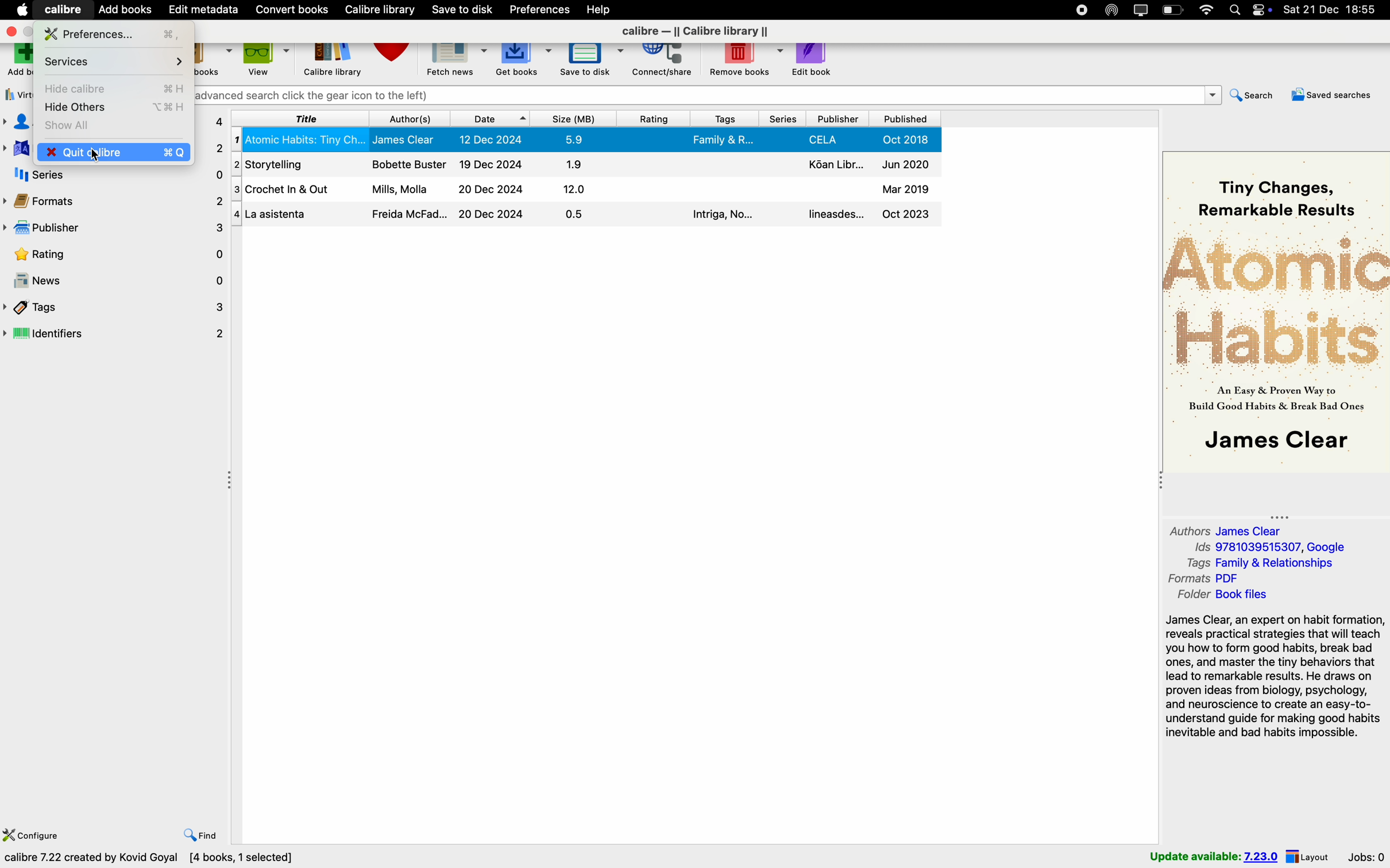 This screenshot has height=868, width=1390. What do you see at coordinates (114, 255) in the screenshot?
I see `rating` at bounding box center [114, 255].